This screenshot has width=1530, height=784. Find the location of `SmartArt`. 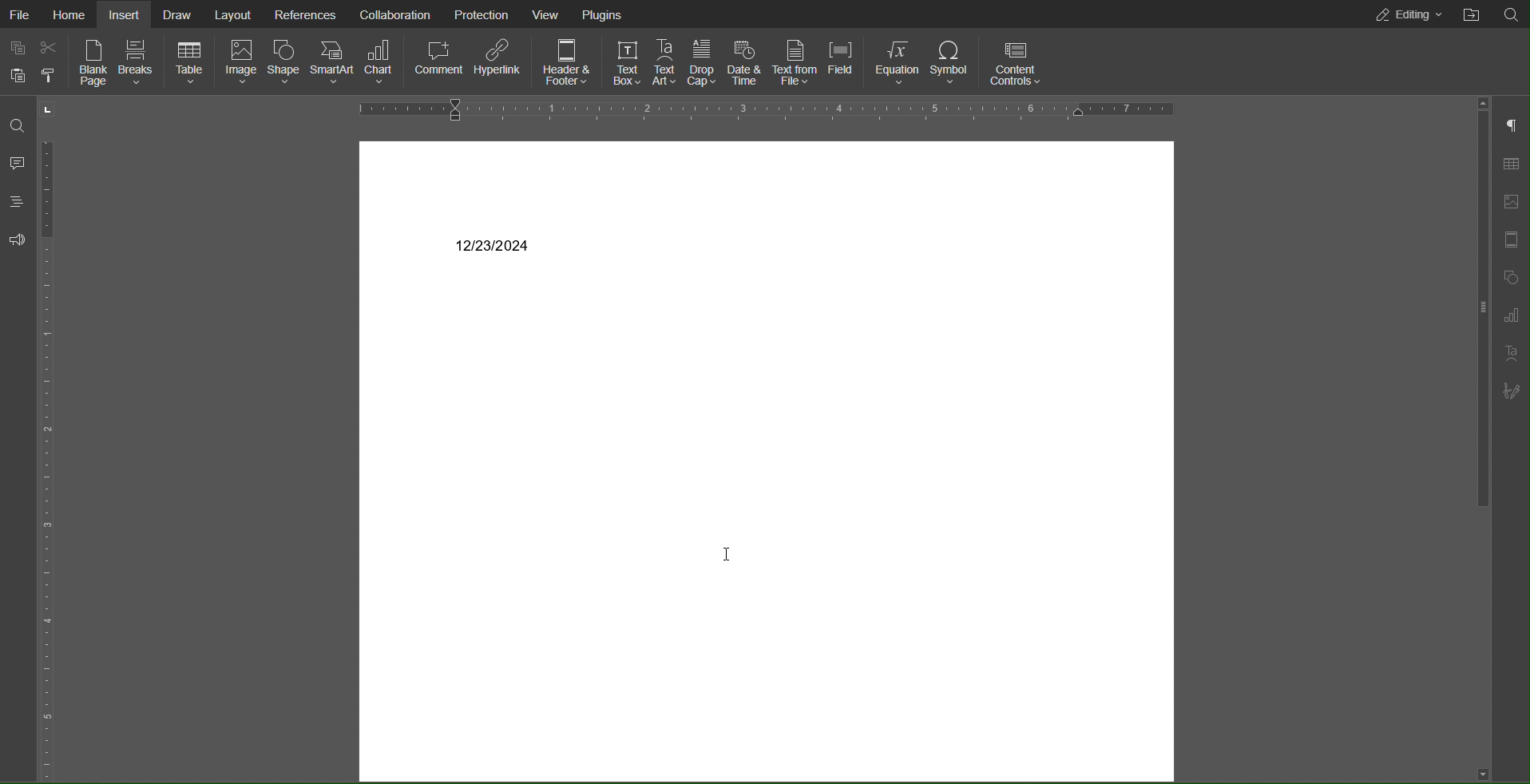

SmartArt is located at coordinates (331, 62).